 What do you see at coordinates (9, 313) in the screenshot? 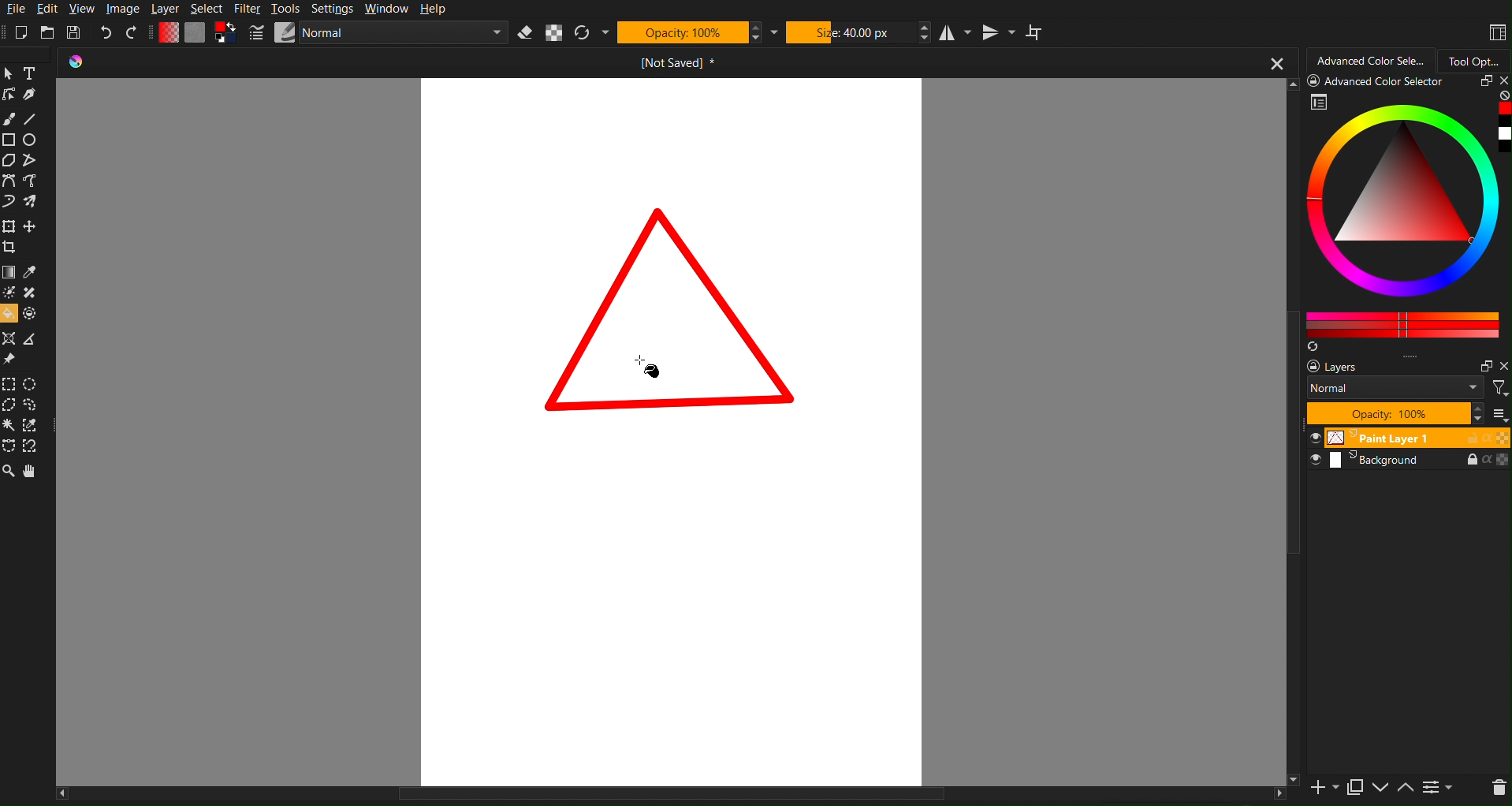
I see `fill a contiguous area of color with a color, or fill a selection` at bounding box center [9, 313].